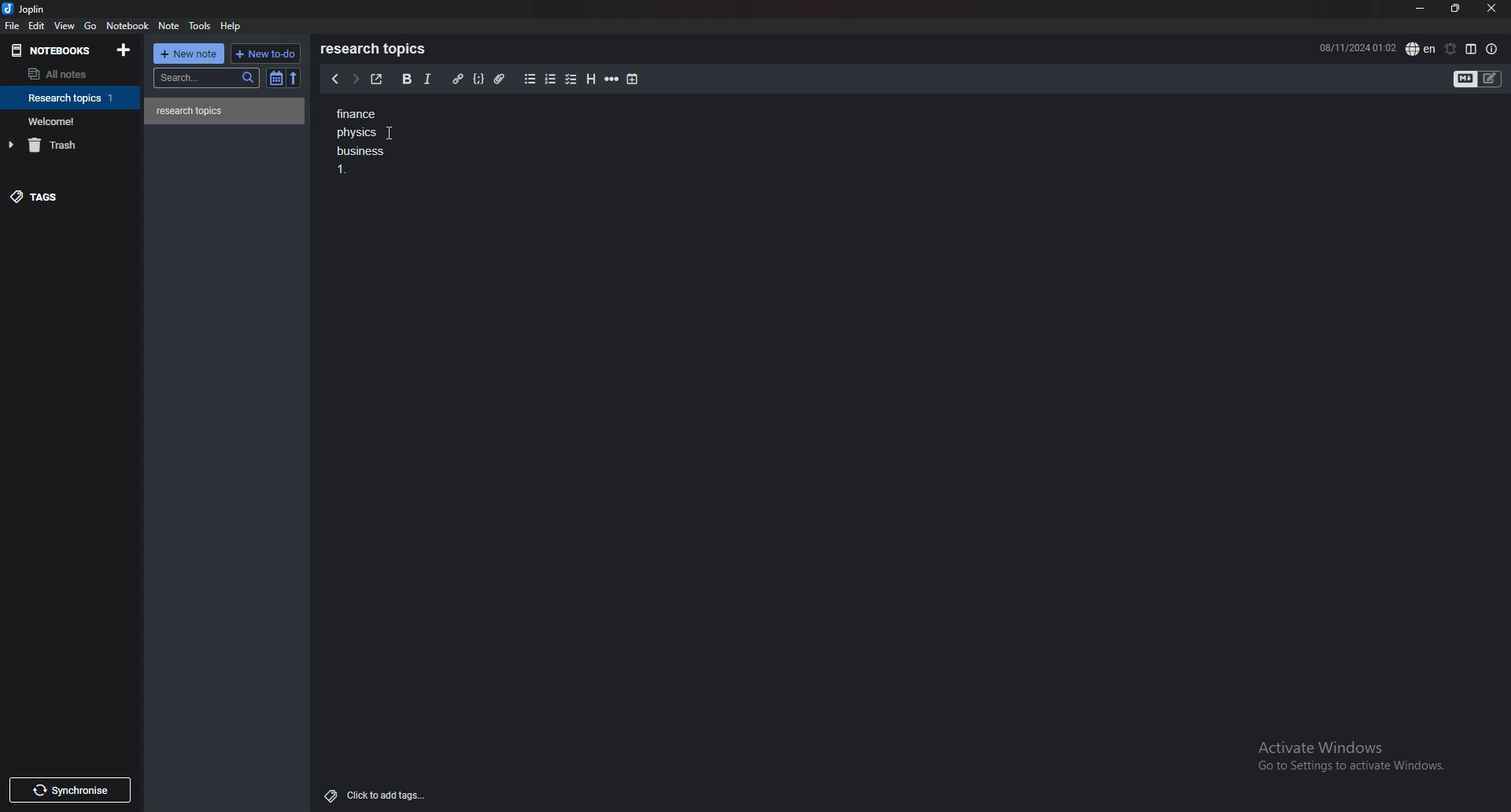 This screenshot has height=812, width=1511. What do you see at coordinates (613, 79) in the screenshot?
I see `horizontal rule` at bounding box center [613, 79].